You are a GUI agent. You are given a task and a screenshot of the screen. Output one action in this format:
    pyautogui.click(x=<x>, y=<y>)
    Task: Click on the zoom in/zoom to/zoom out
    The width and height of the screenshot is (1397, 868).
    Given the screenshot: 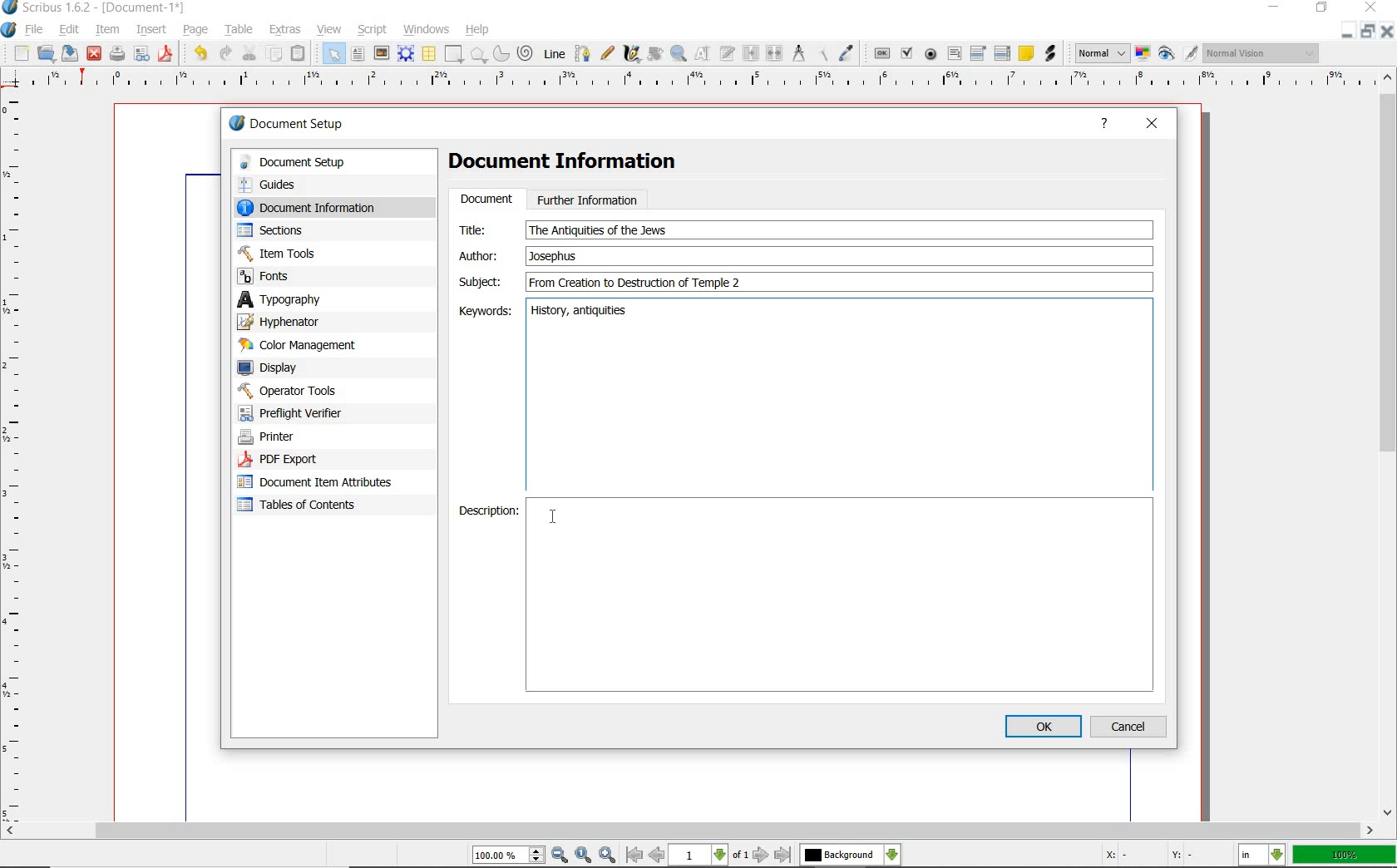 What is the action you would take?
    pyautogui.click(x=546, y=855)
    